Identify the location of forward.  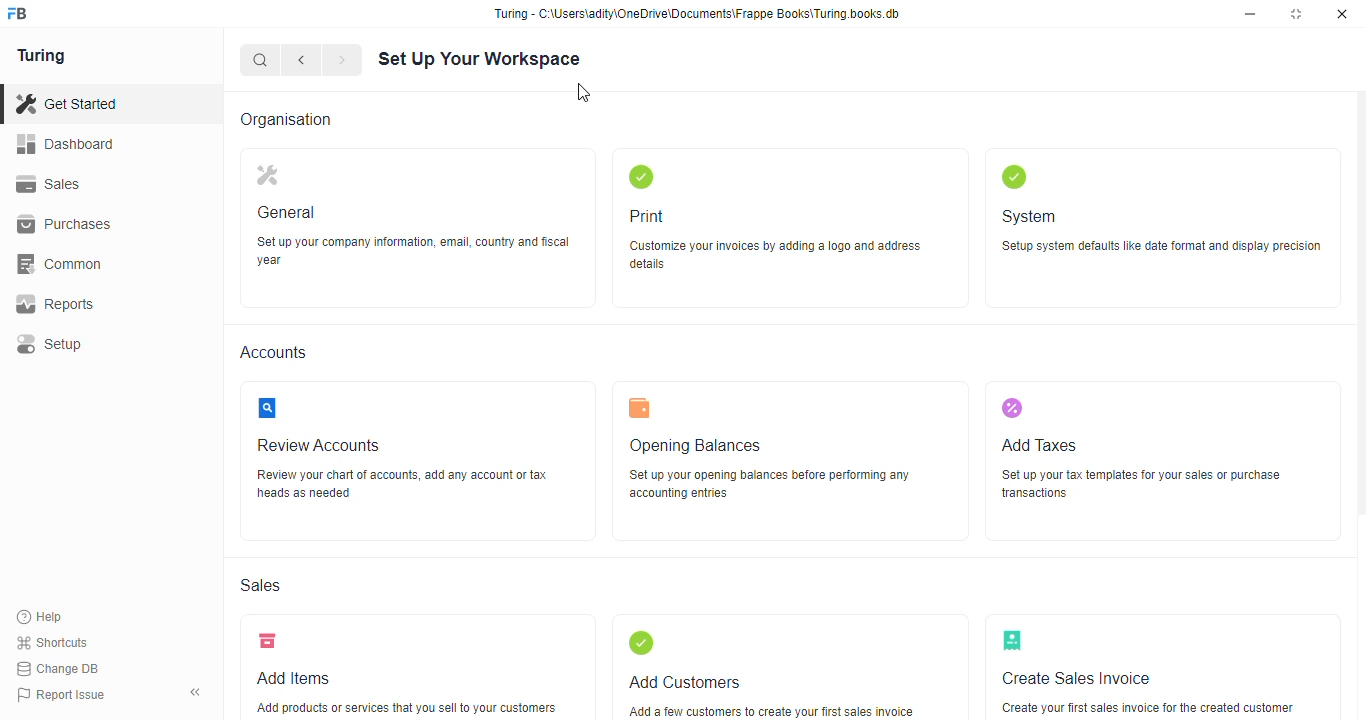
(343, 59).